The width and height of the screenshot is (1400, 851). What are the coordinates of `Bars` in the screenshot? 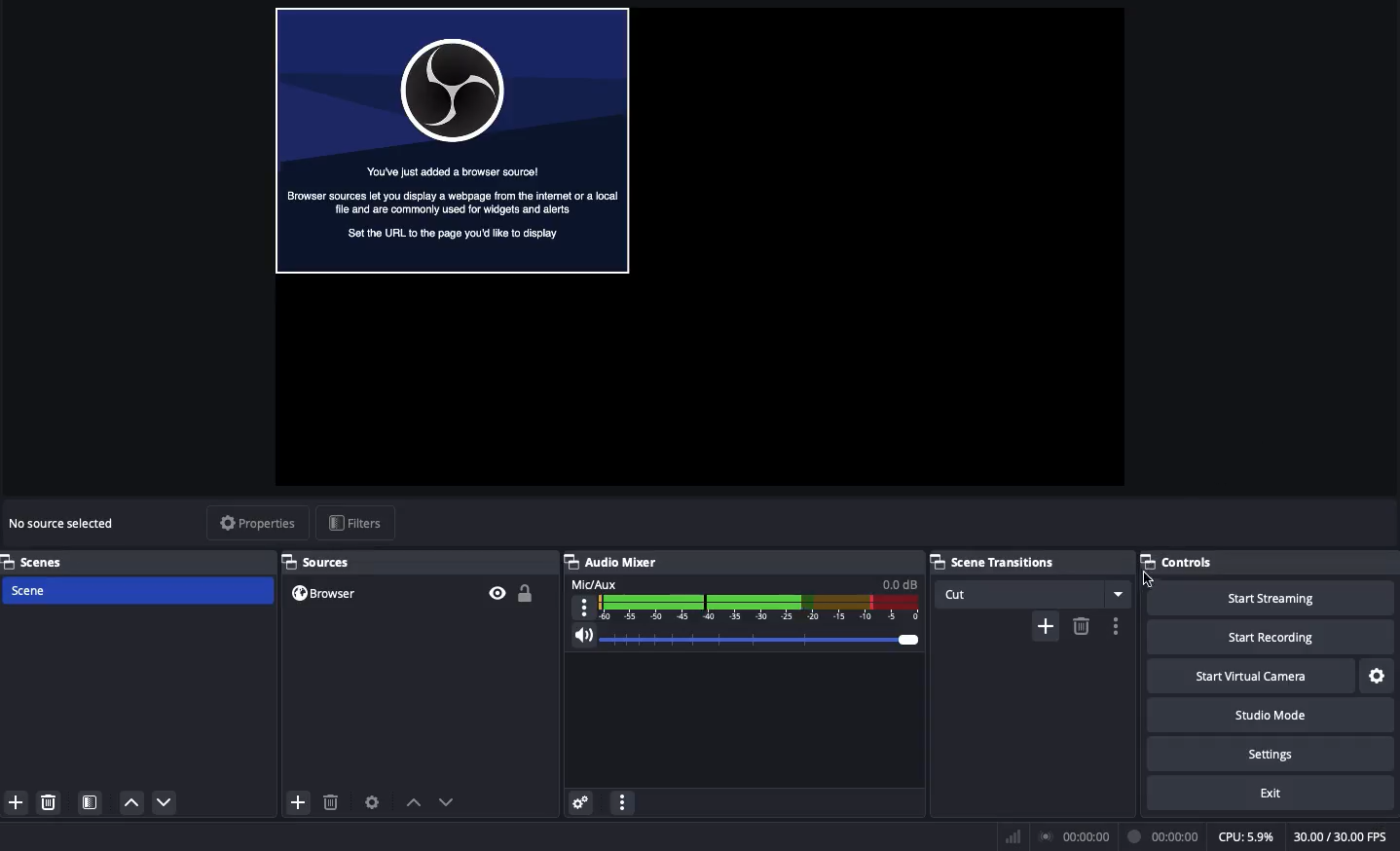 It's located at (1010, 835).